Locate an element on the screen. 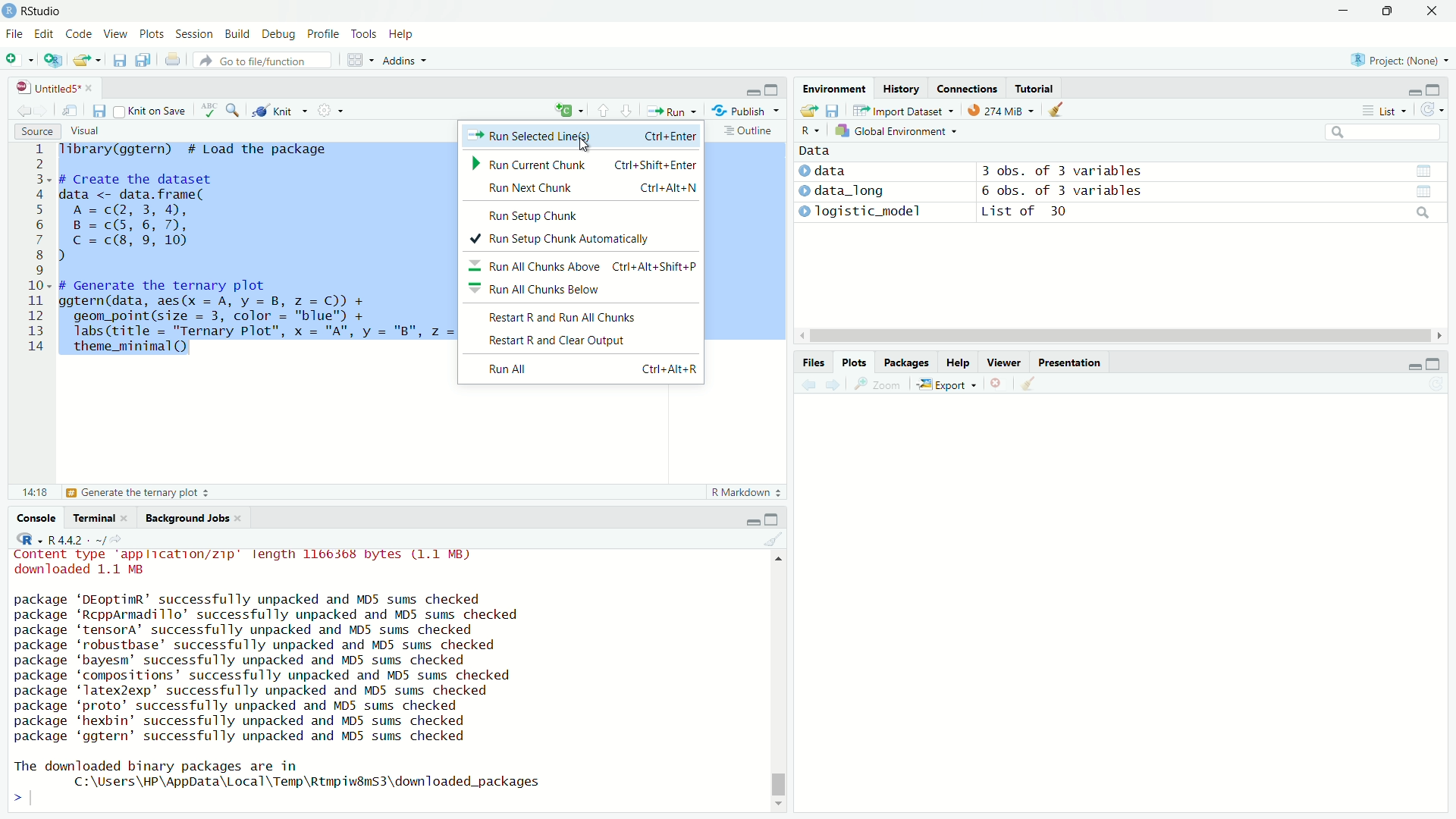 The height and width of the screenshot is (819, 1456). Run All Chunks Above Ctrl+Alt+Shift+P is located at coordinates (585, 265).